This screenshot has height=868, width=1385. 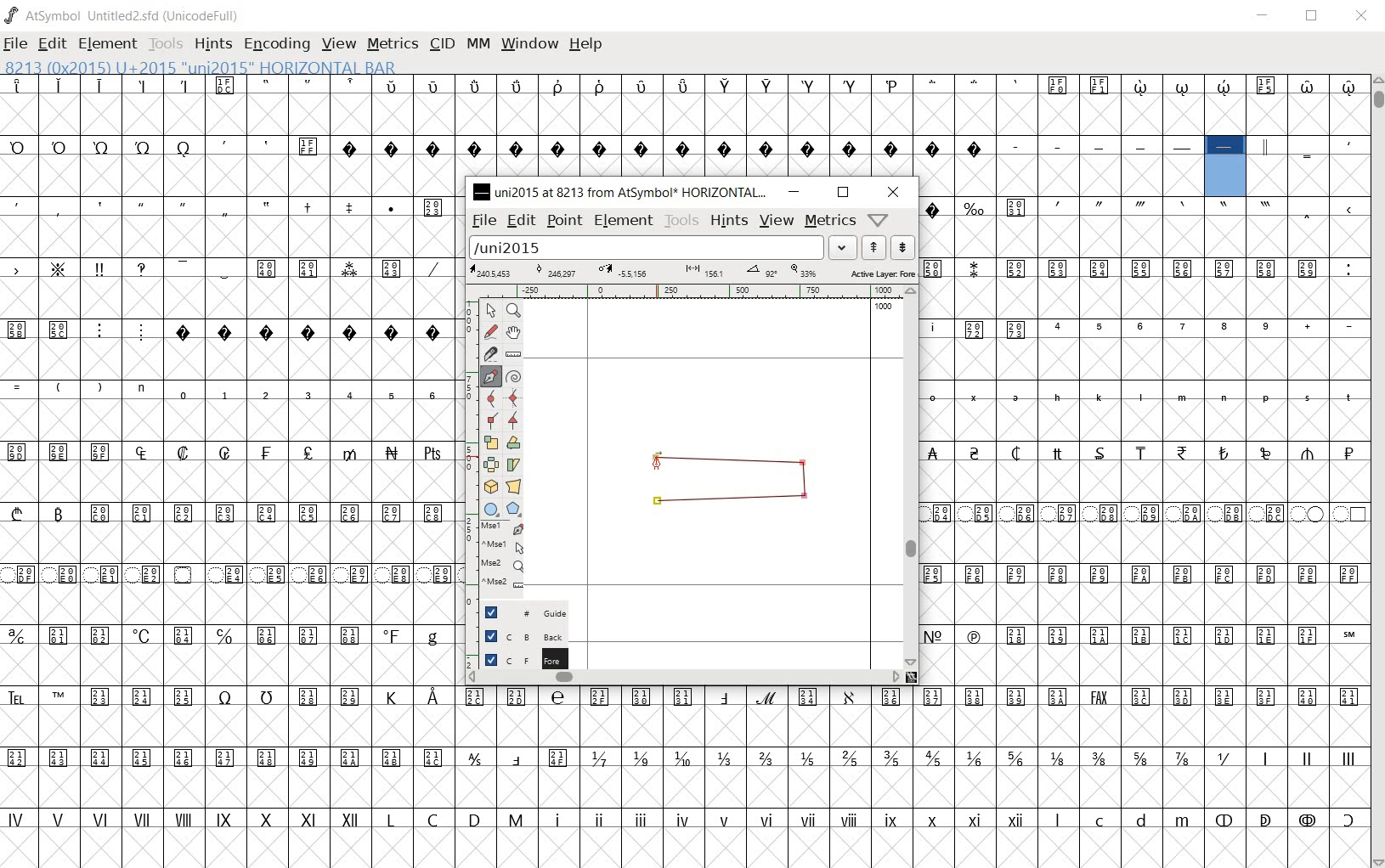 I want to click on added point, so click(x=806, y=498).